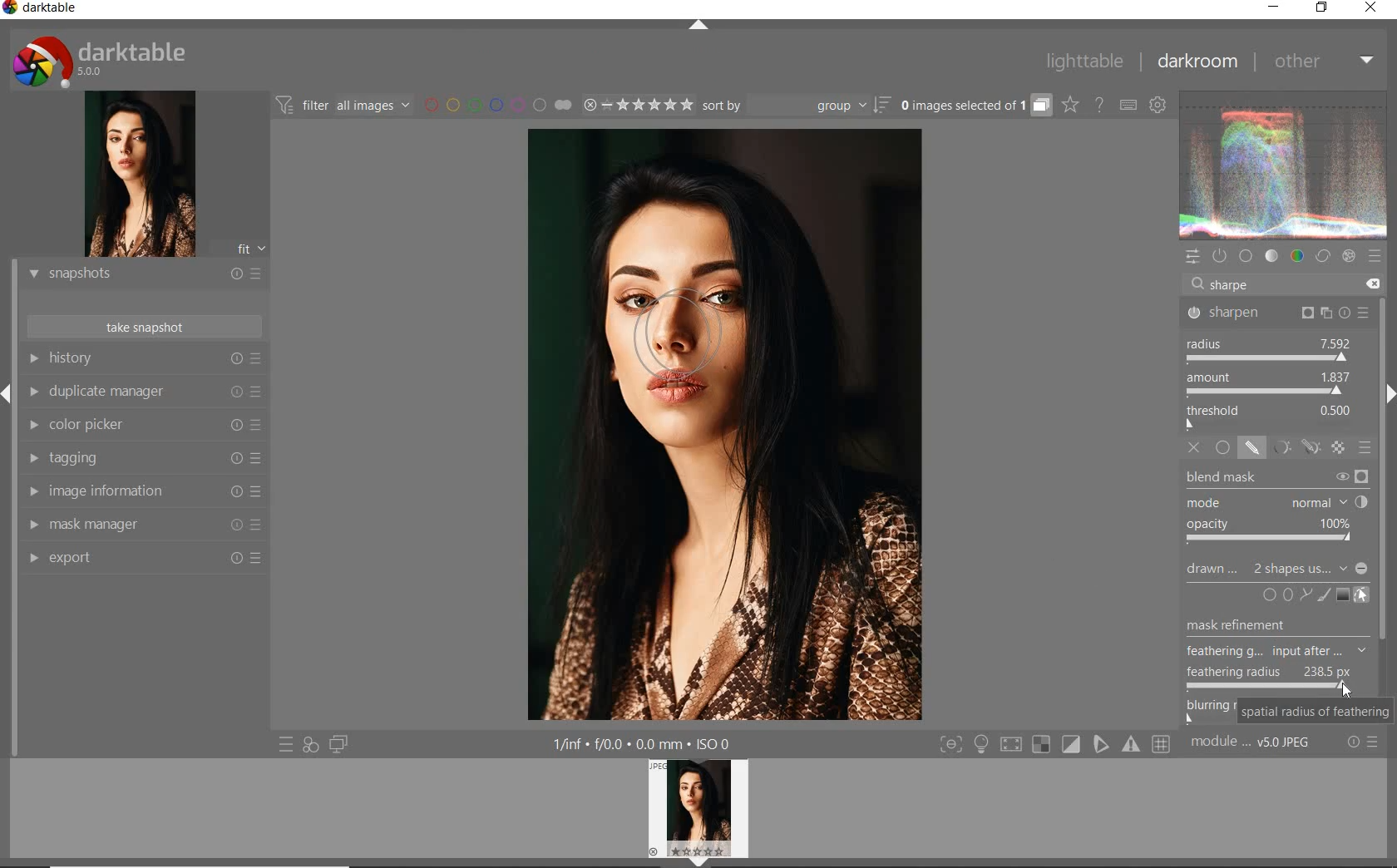  Describe the element at coordinates (141, 459) in the screenshot. I see `TAGGING` at that location.